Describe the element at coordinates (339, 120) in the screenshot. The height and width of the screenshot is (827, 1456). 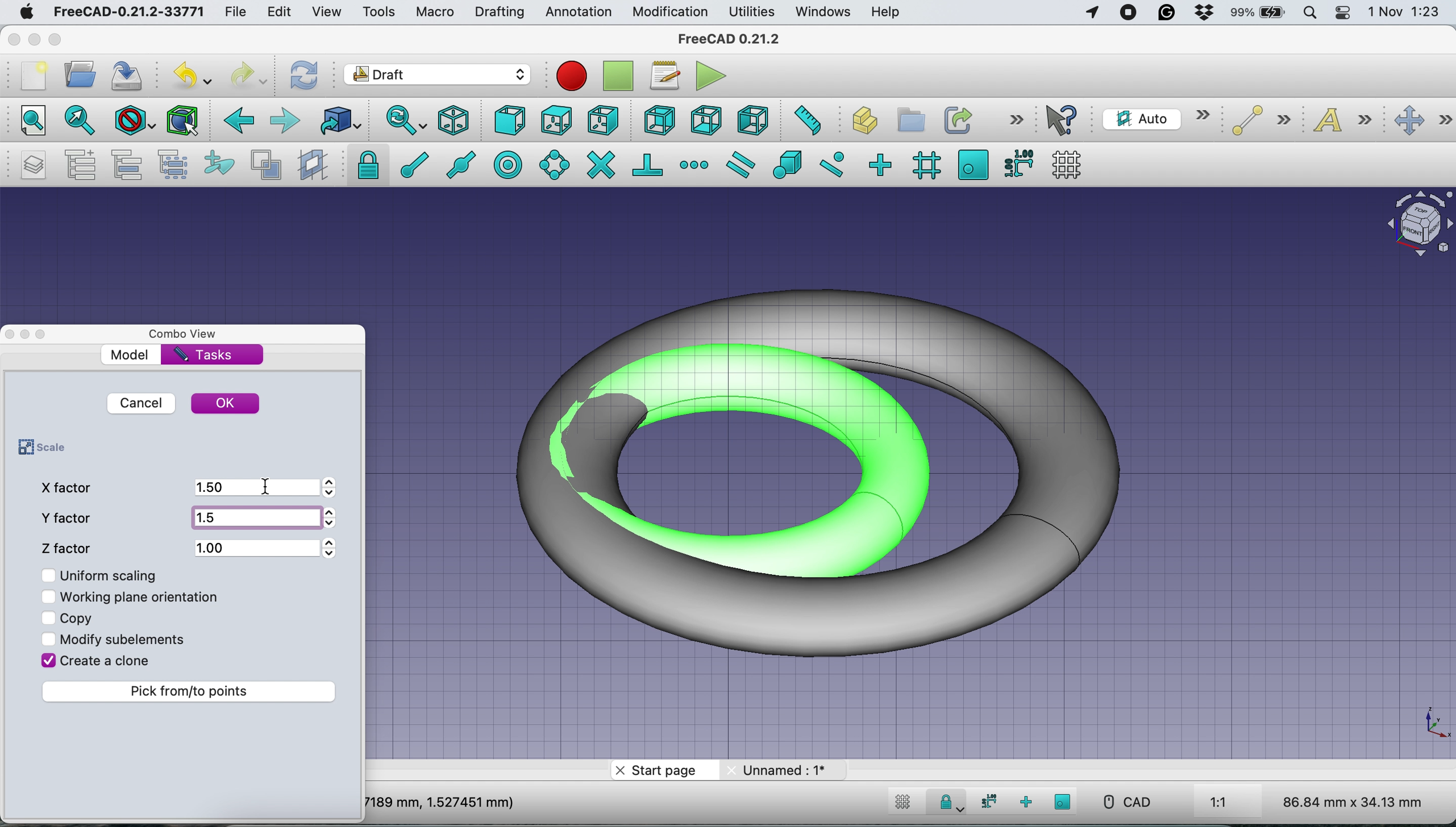
I see `go to linked object` at that location.